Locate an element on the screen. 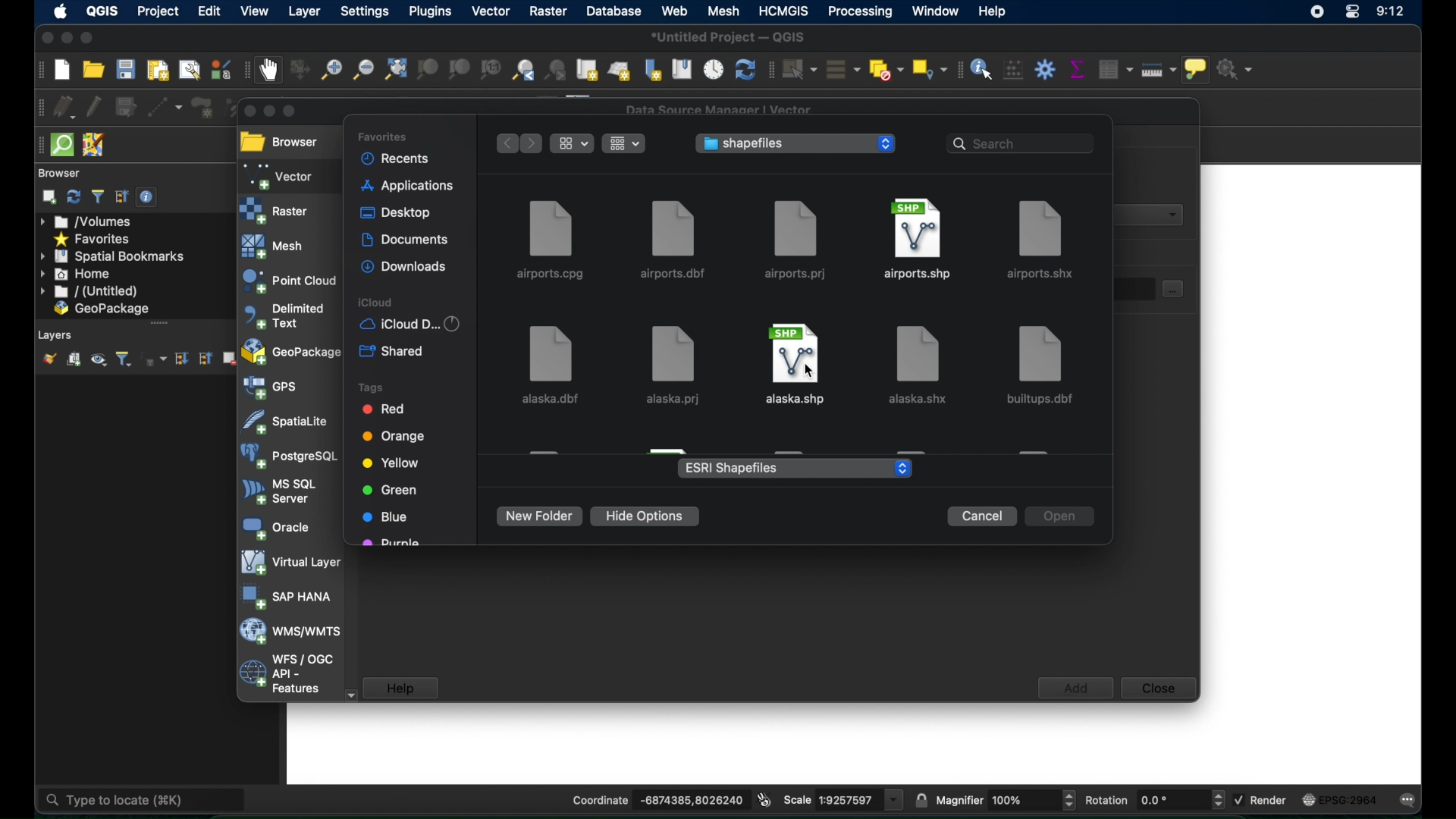  applications is located at coordinates (409, 187).